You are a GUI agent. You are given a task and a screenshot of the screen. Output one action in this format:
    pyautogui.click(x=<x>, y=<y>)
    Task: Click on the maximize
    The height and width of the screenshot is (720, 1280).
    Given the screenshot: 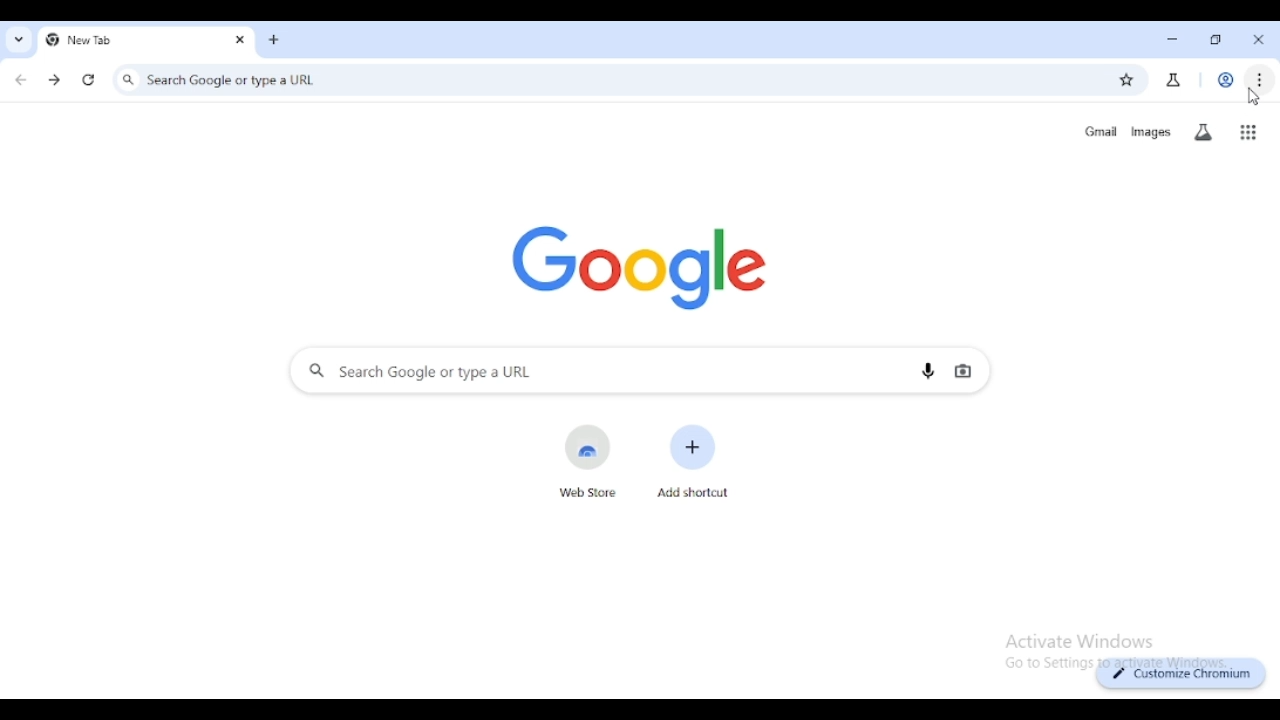 What is the action you would take?
    pyautogui.click(x=1218, y=41)
    